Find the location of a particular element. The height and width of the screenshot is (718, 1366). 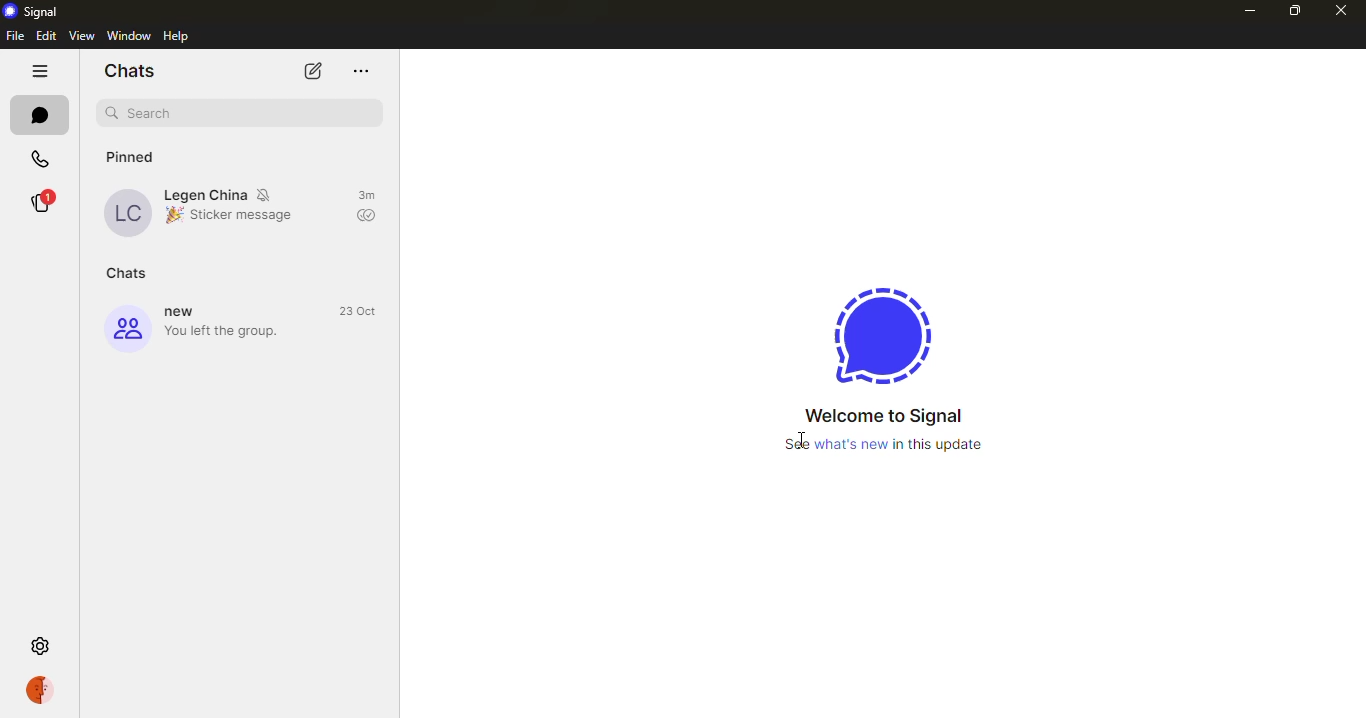

stories is located at coordinates (43, 196).